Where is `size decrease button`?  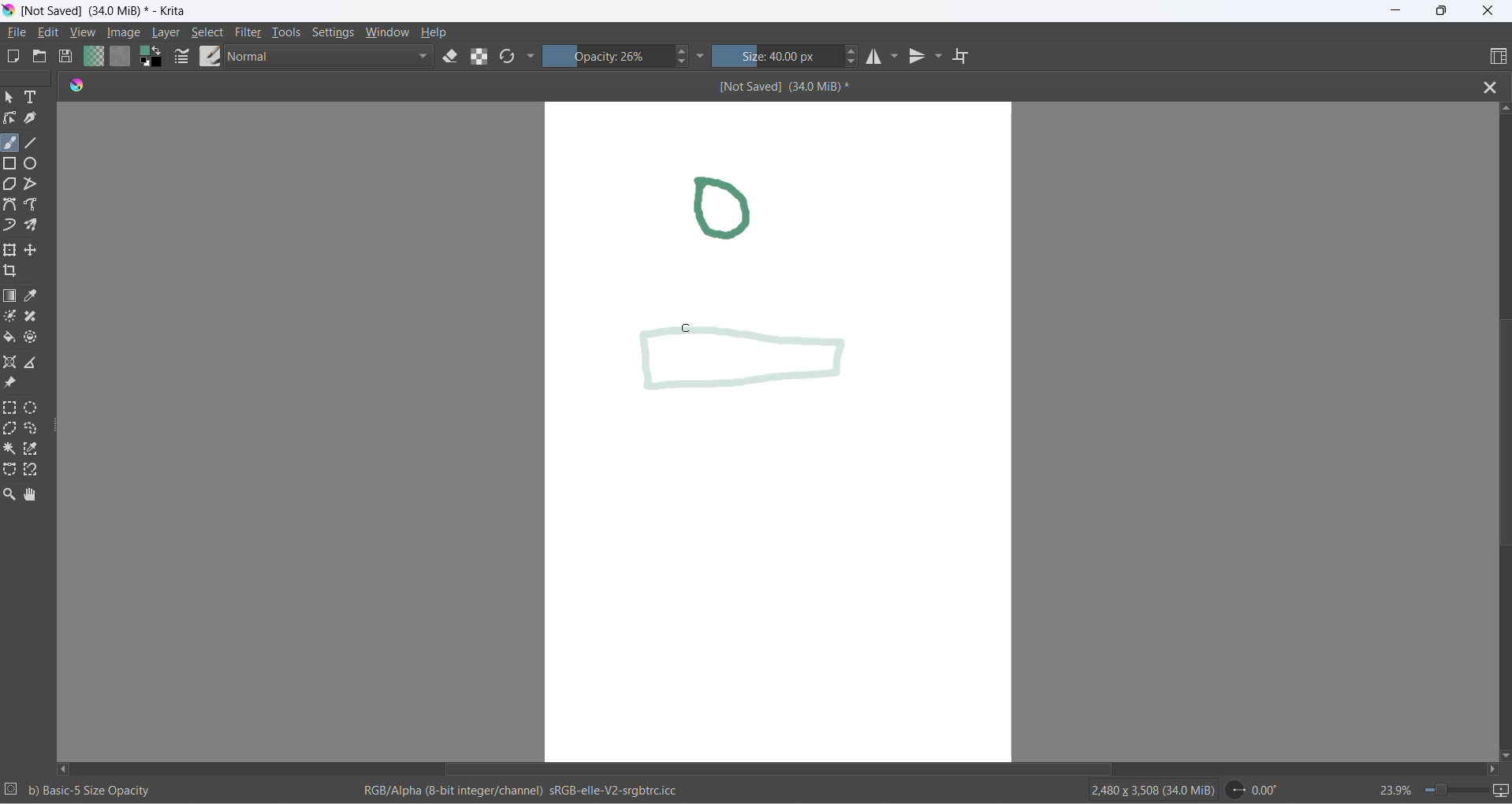 size decrease button is located at coordinates (855, 65).